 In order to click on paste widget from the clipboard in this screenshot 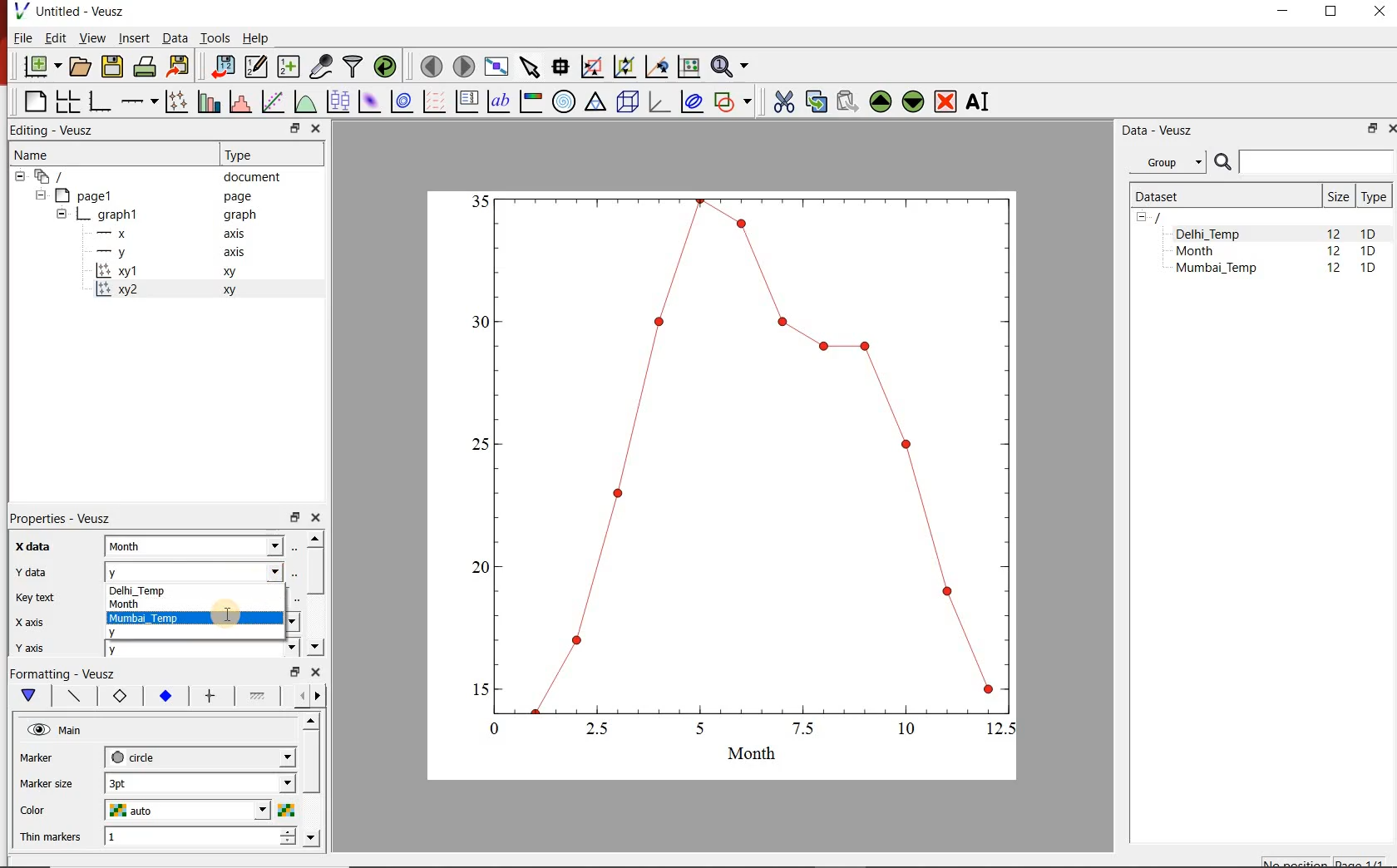, I will do `click(848, 101)`.